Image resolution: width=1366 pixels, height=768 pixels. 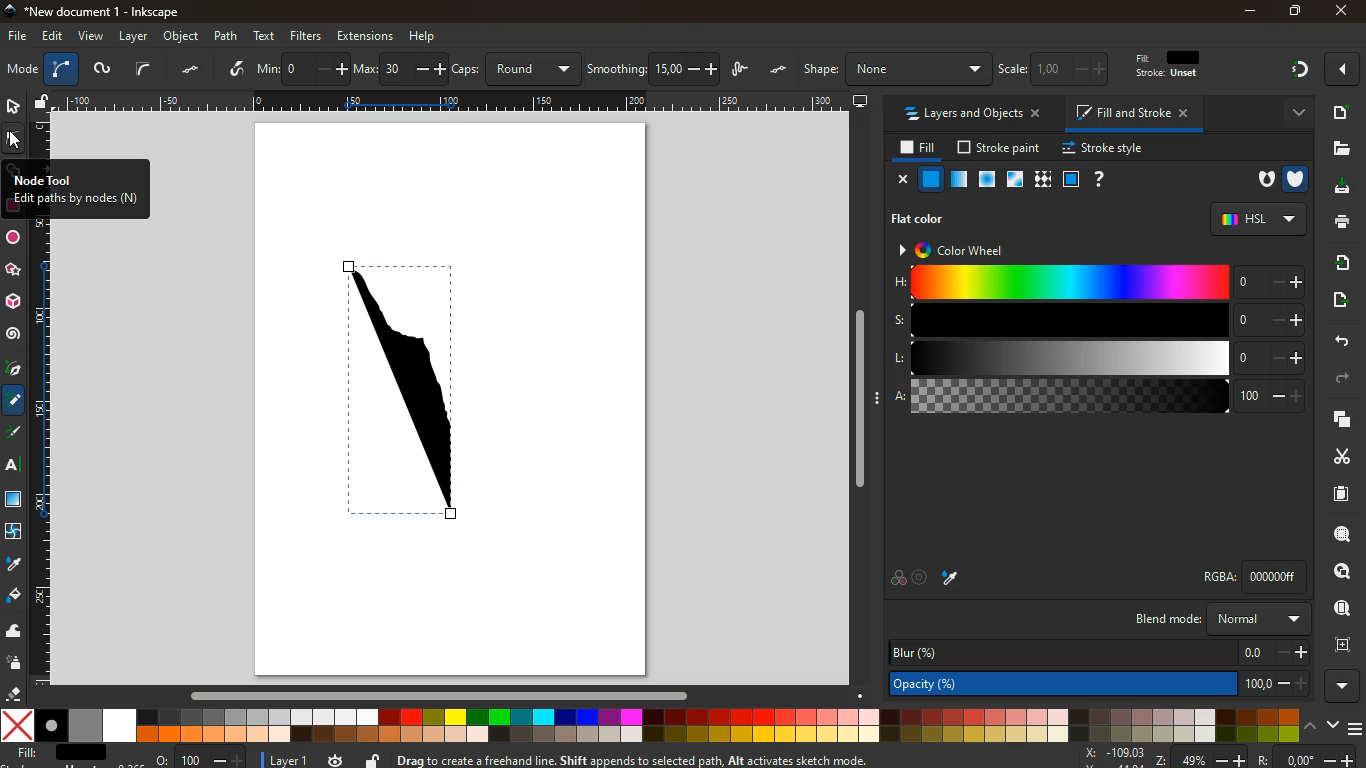 I want to click on unlock, so click(x=44, y=102).